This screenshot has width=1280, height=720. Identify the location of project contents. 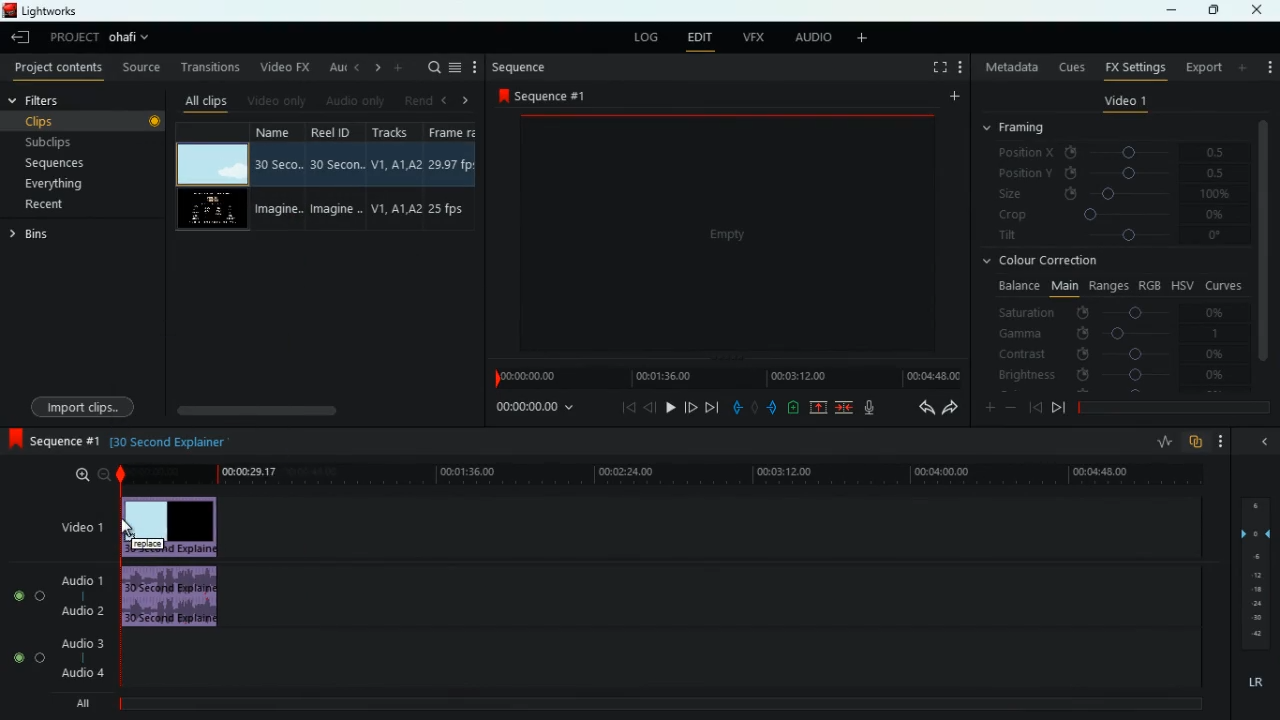
(55, 68).